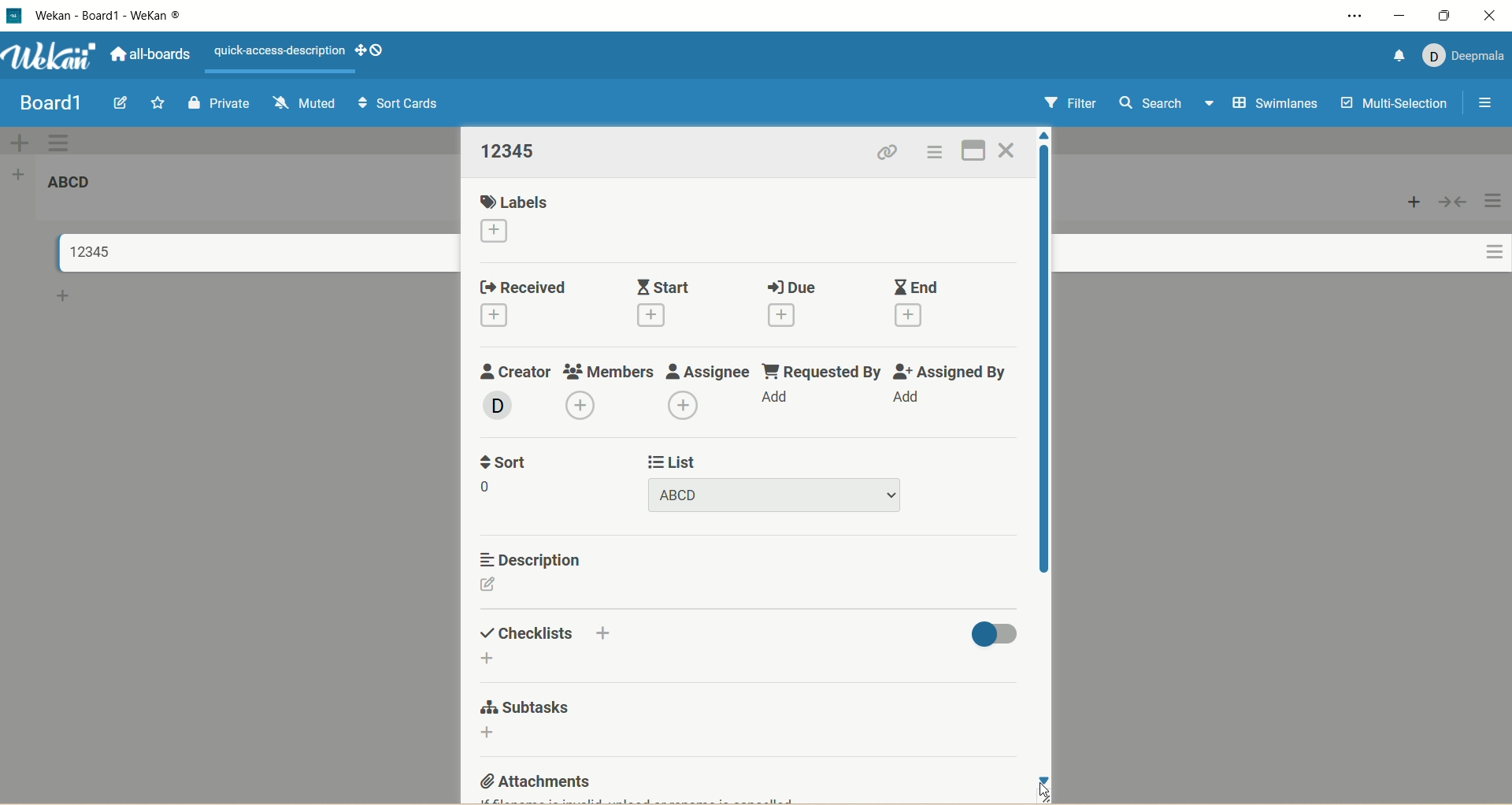 Image resolution: width=1512 pixels, height=805 pixels. I want to click on add swimlane, so click(17, 142).